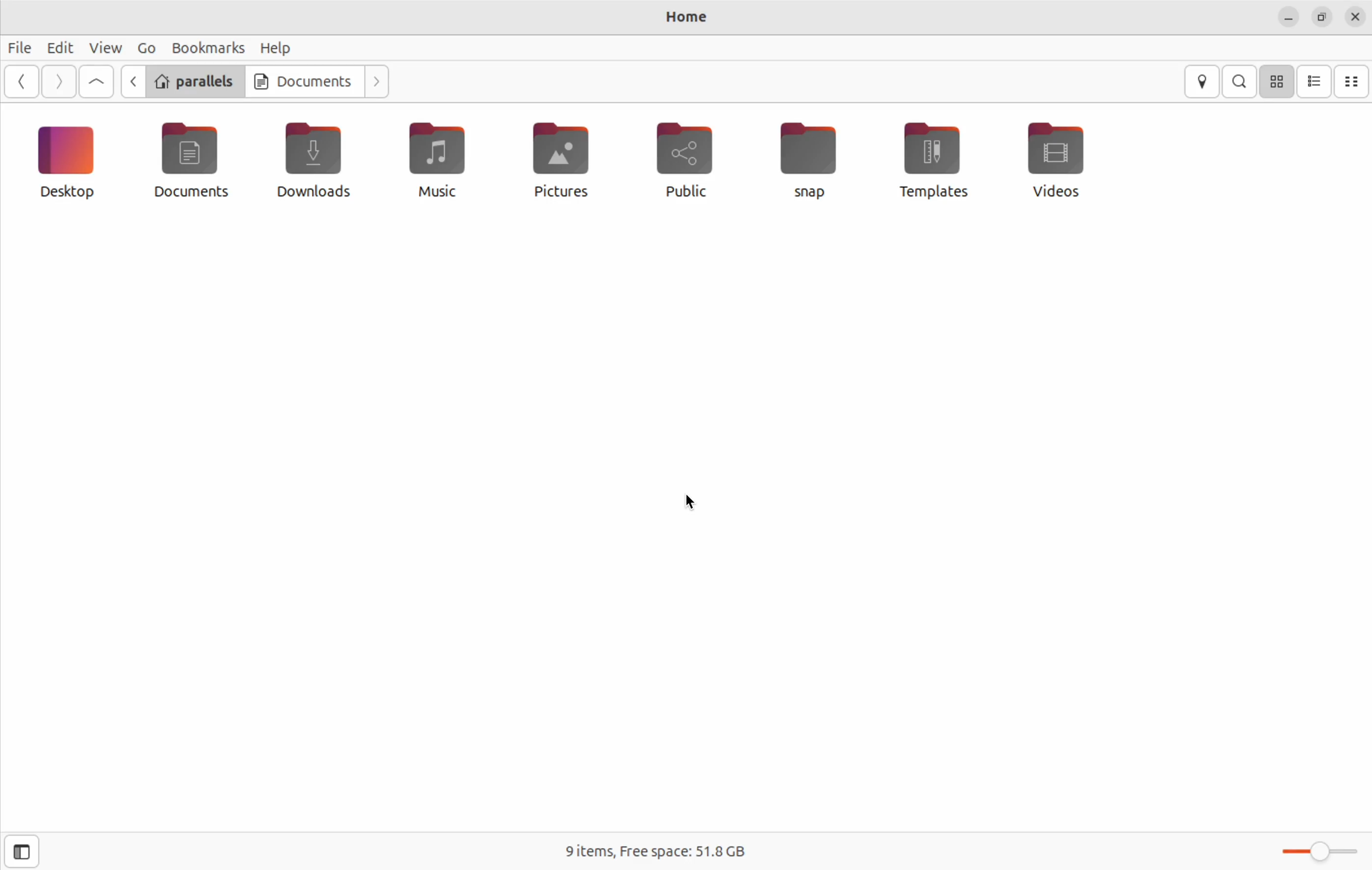  I want to click on file, so click(23, 48).